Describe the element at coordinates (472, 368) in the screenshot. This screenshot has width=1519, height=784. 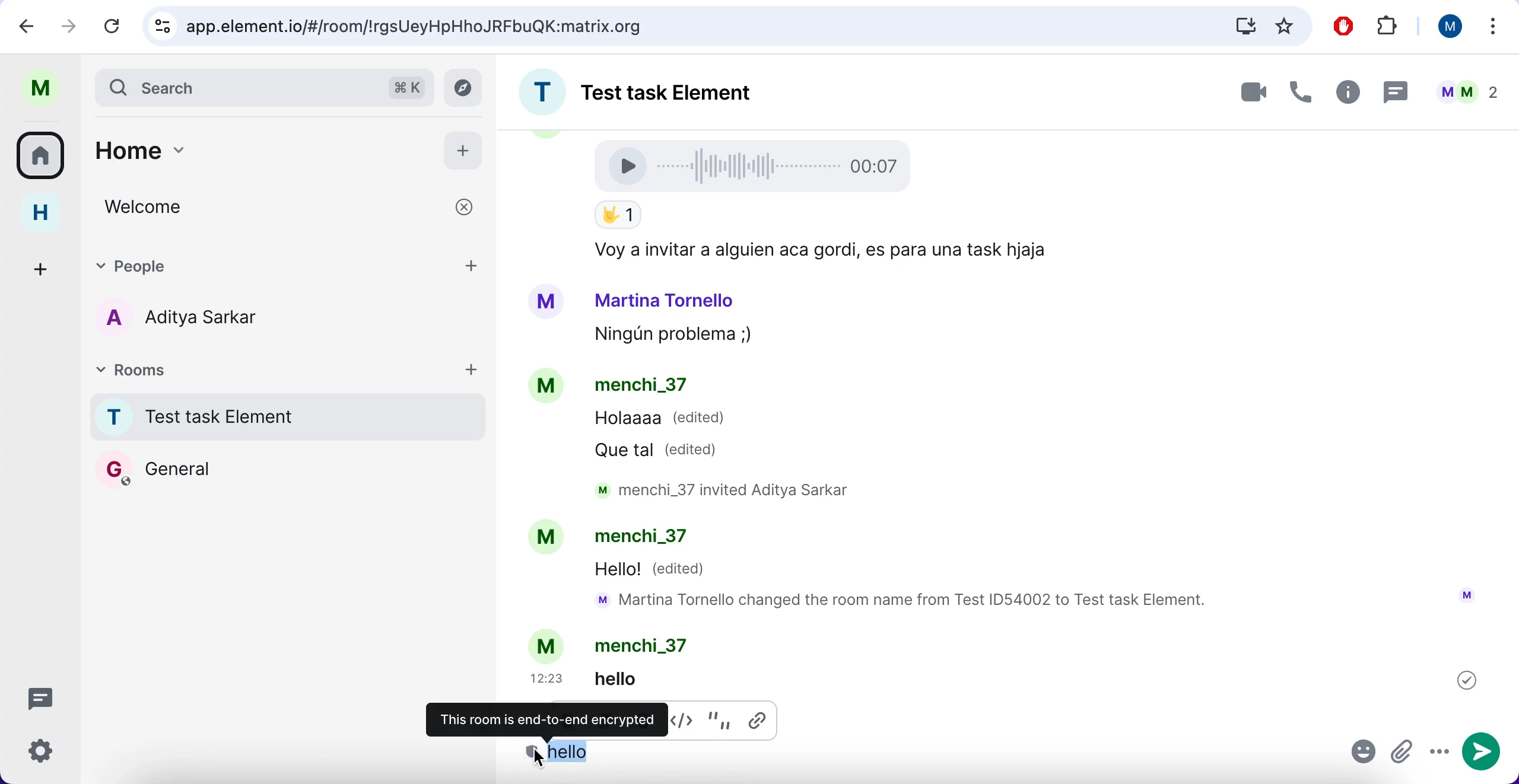
I see `add` at that location.